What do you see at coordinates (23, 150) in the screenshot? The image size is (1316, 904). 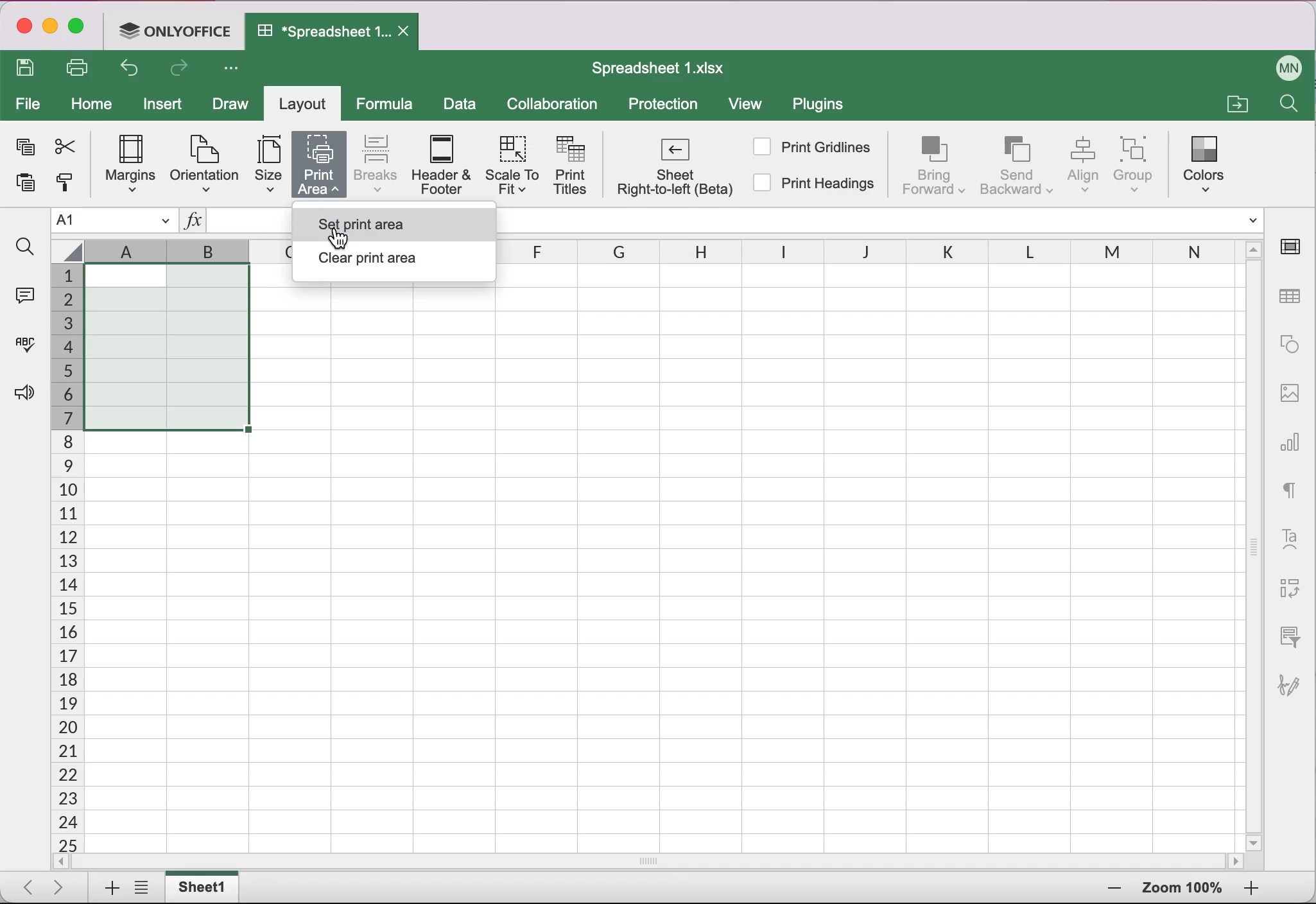 I see `copy` at bounding box center [23, 150].